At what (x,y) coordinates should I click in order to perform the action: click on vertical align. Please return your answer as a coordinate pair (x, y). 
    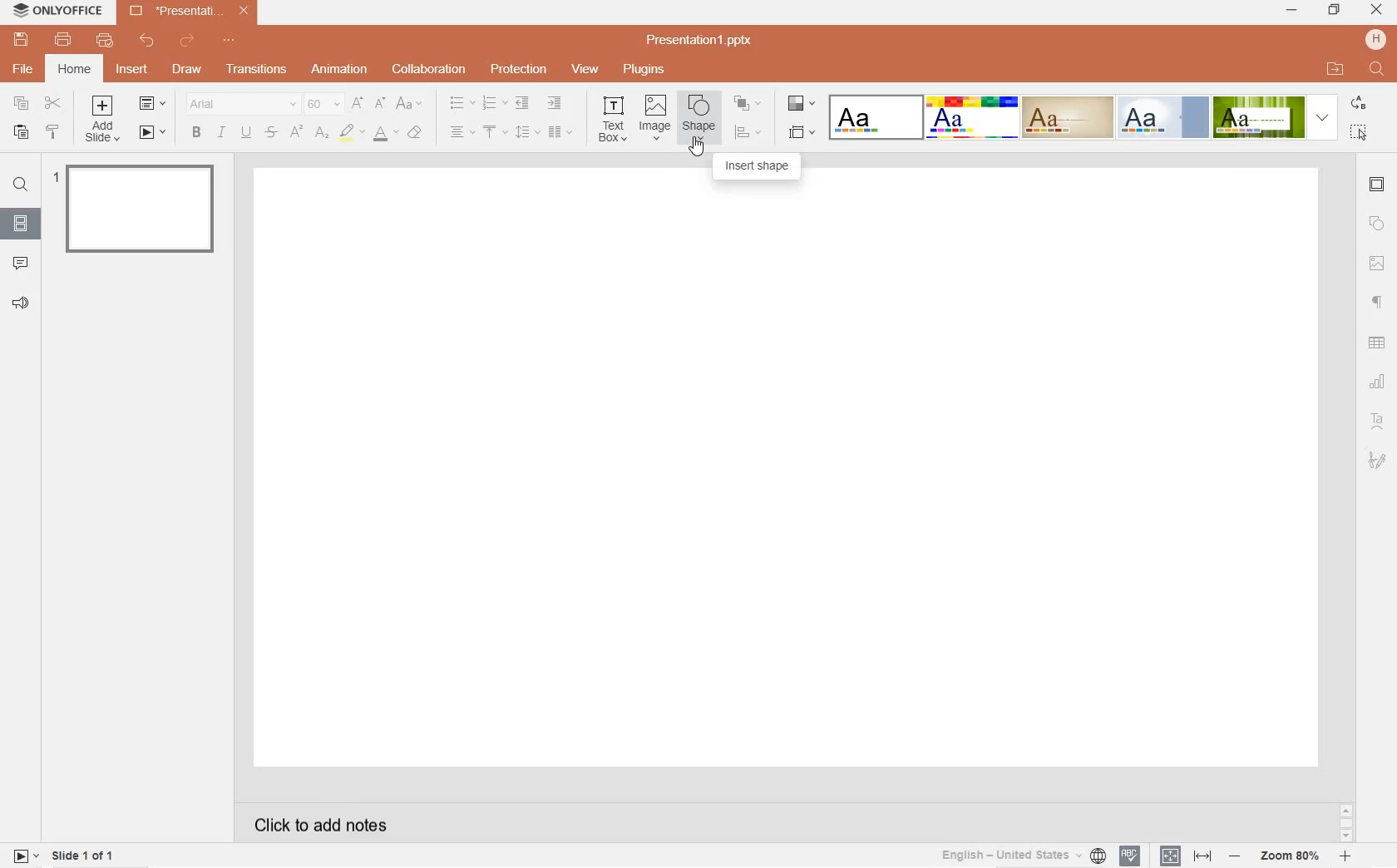
    Looking at the image, I should click on (496, 133).